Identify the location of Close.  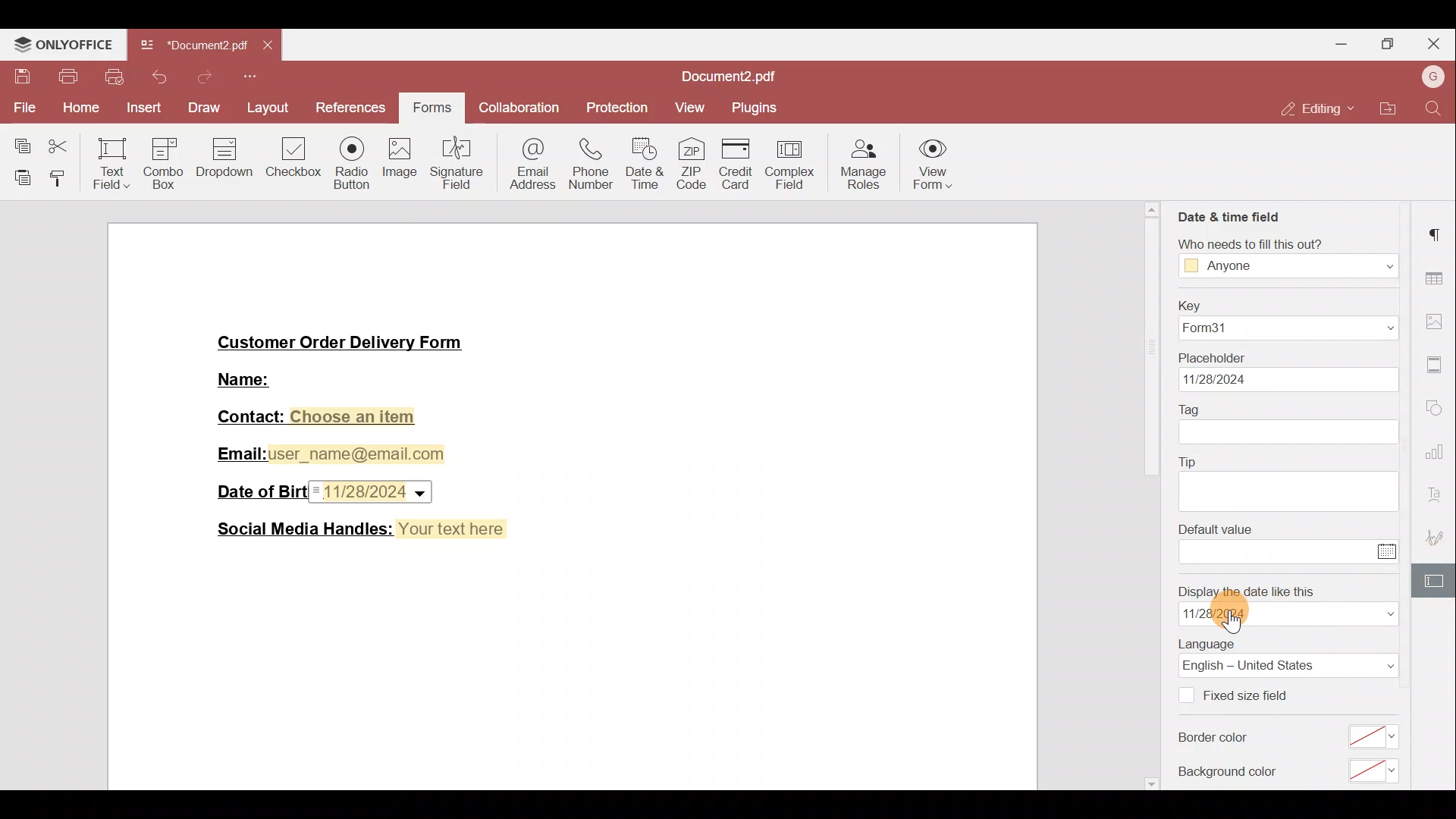
(1434, 44).